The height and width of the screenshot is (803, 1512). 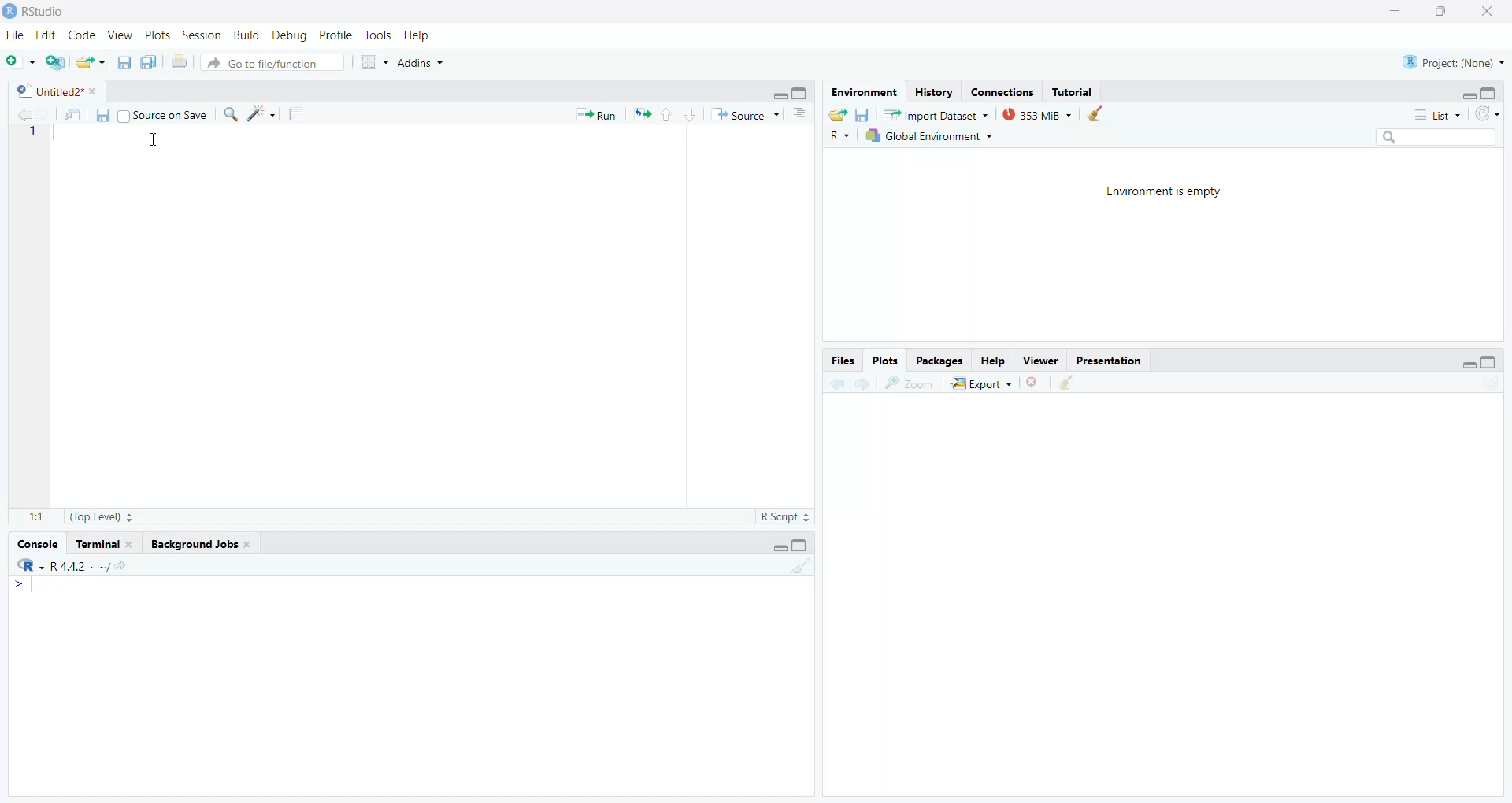 I want to click on history, so click(x=934, y=91).